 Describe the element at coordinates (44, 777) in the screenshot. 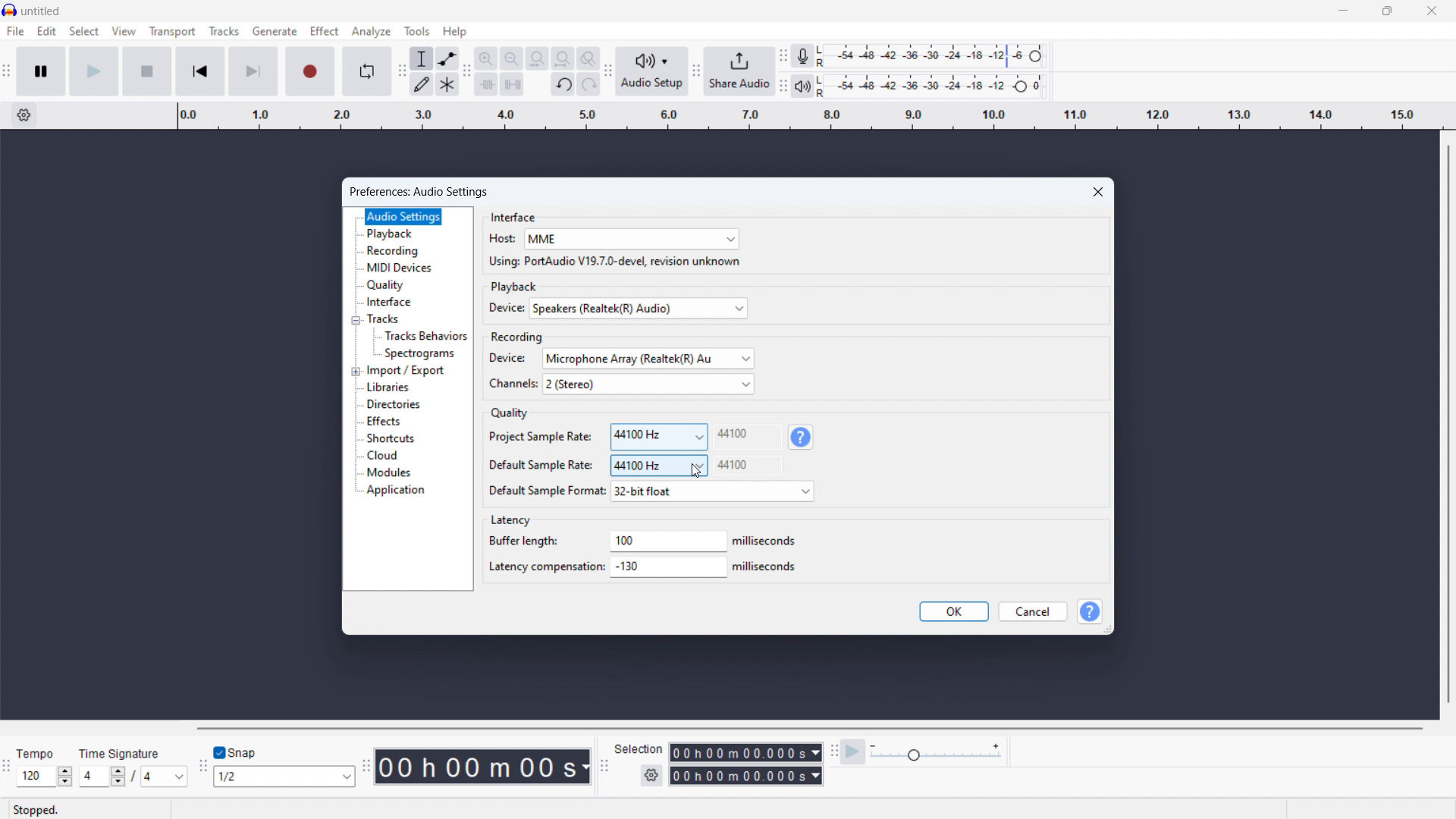

I see `set tempo` at that location.